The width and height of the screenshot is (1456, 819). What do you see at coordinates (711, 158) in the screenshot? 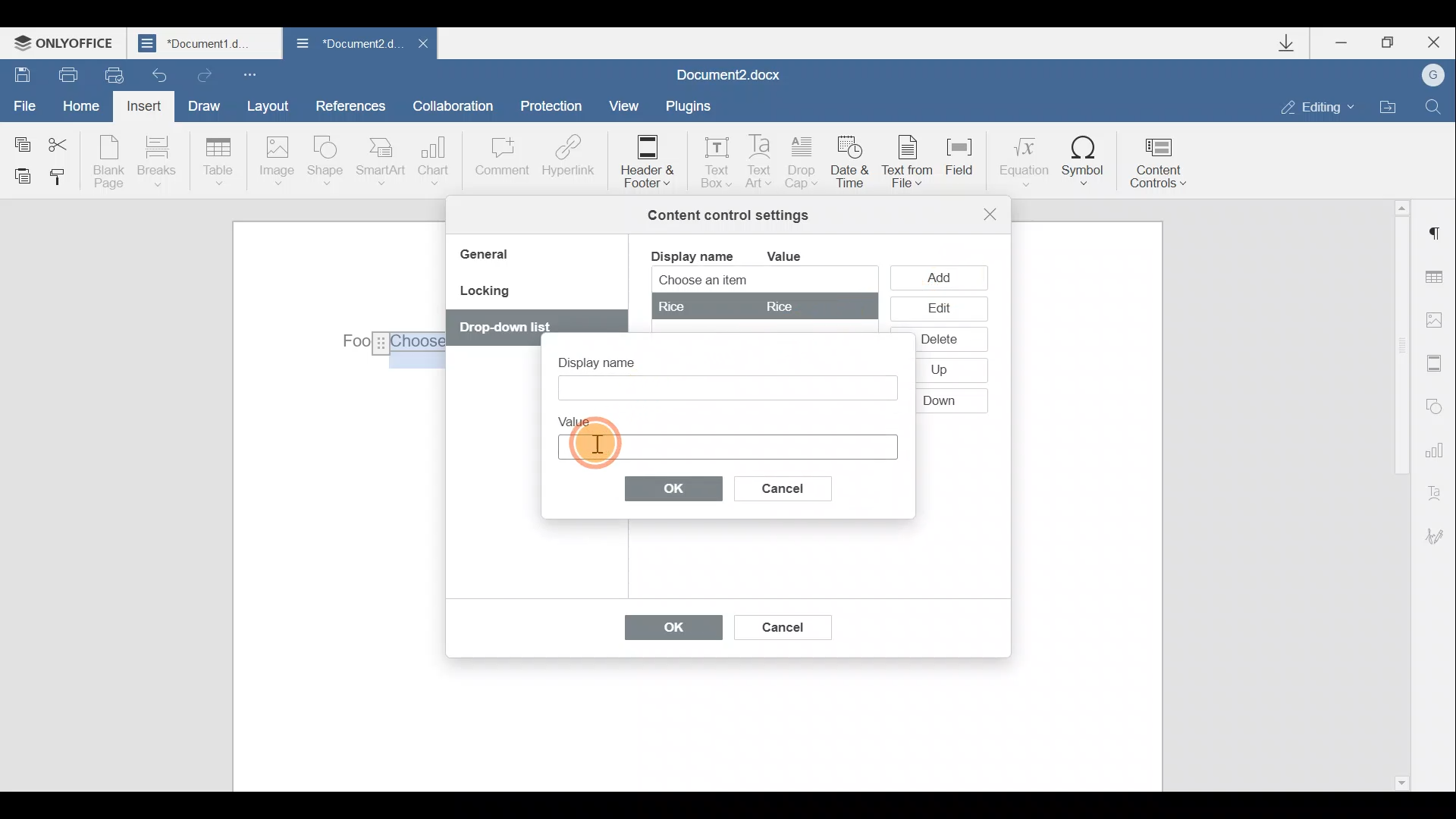
I see `Text box` at bounding box center [711, 158].